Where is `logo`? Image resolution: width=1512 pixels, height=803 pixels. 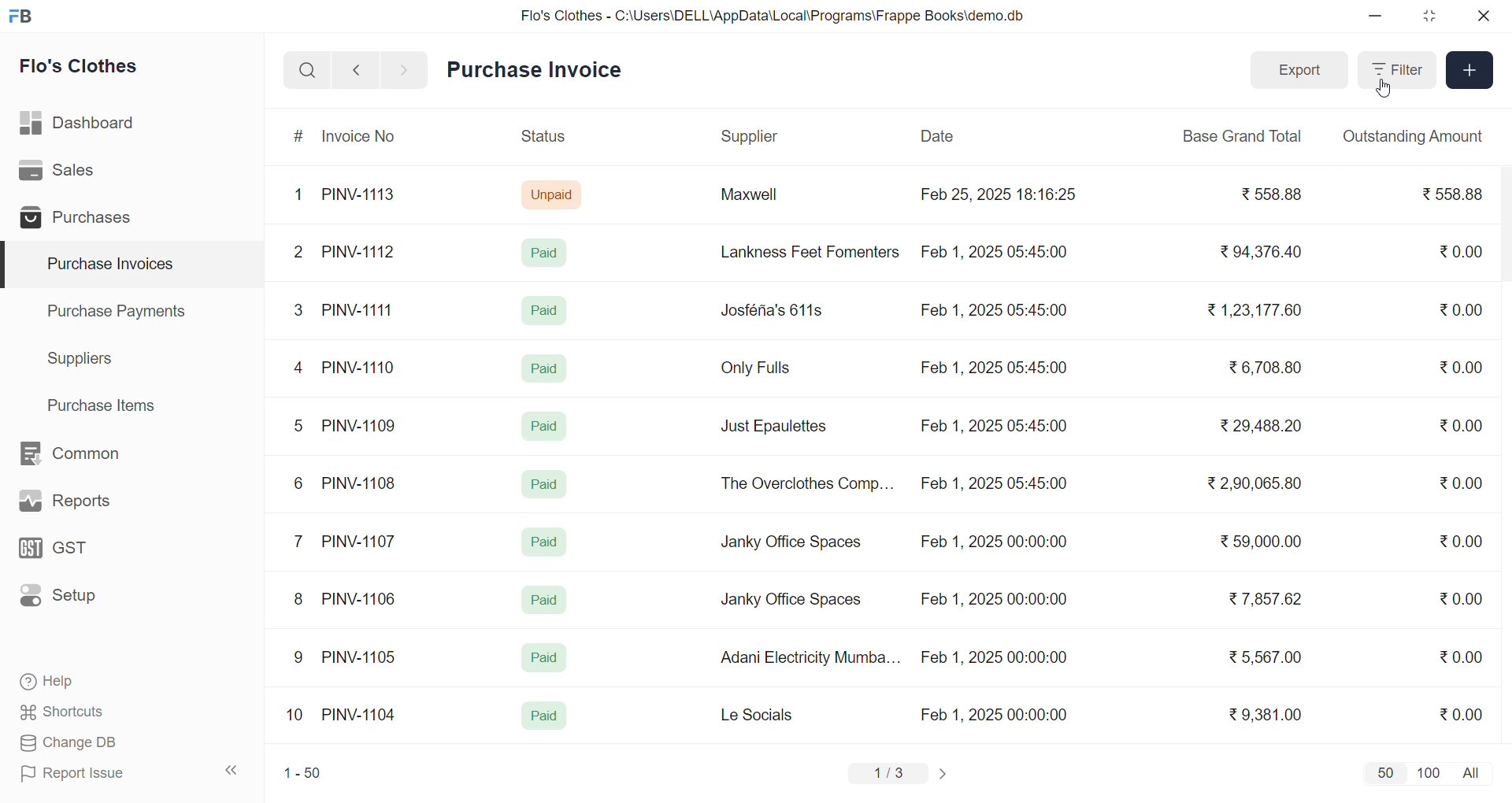
logo is located at coordinates (24, 17).